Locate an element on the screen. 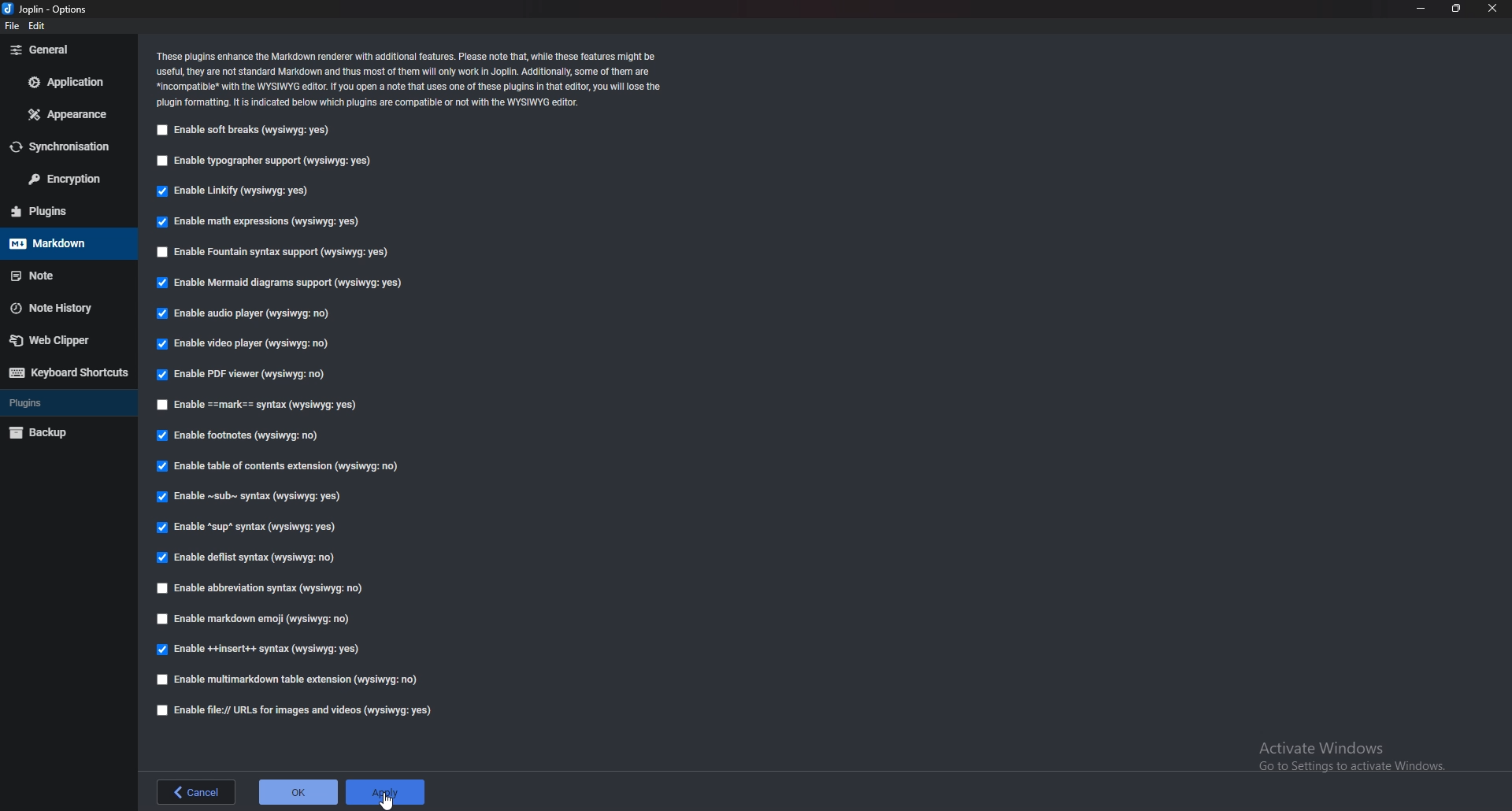 The image size is (1512, 811). Enable sup syntax is located at coordinates (249, 526).